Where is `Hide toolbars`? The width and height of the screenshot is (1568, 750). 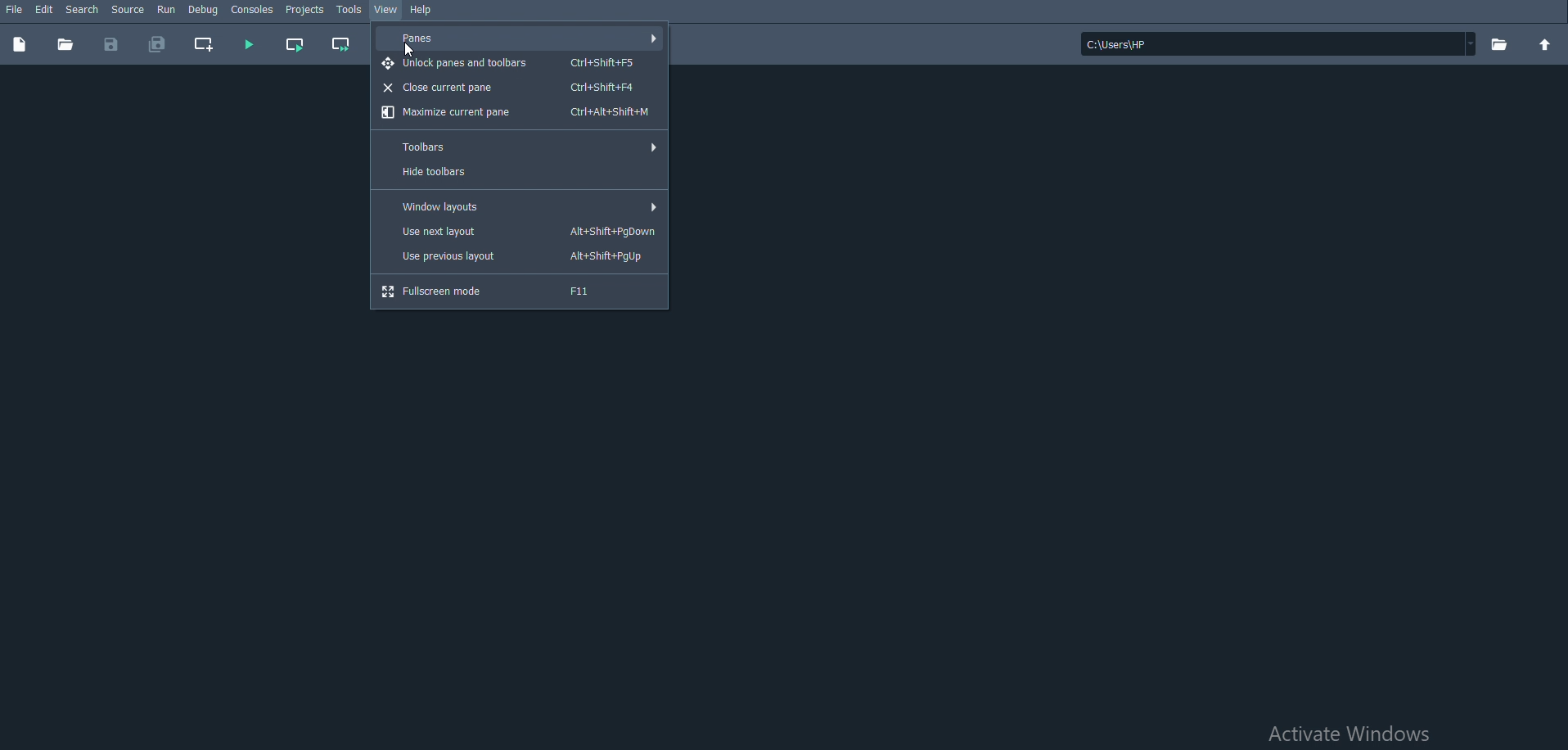 Hide toolbars is located at coordinates (516, 172).